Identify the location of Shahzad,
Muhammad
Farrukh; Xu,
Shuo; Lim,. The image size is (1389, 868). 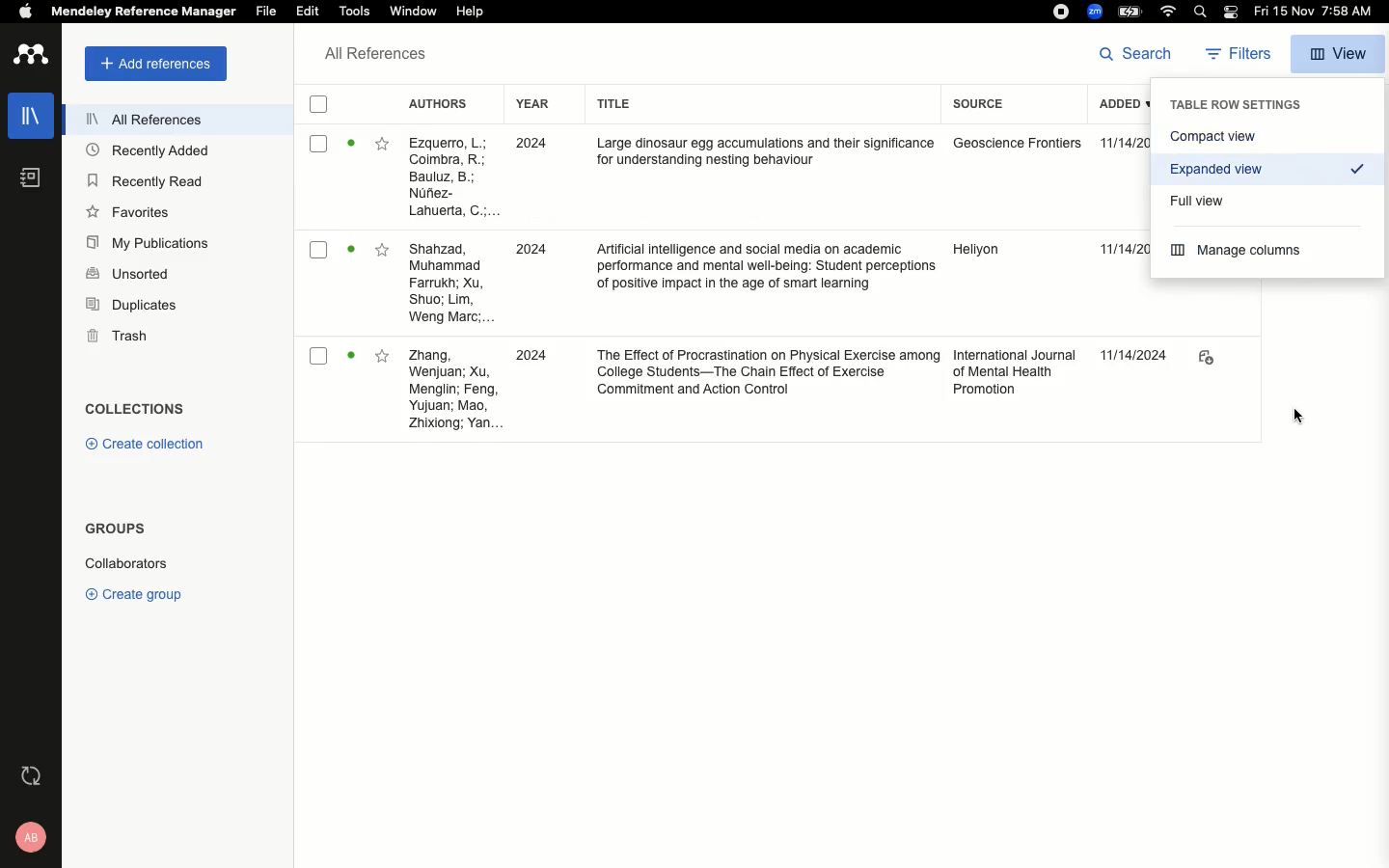
(449, 177).